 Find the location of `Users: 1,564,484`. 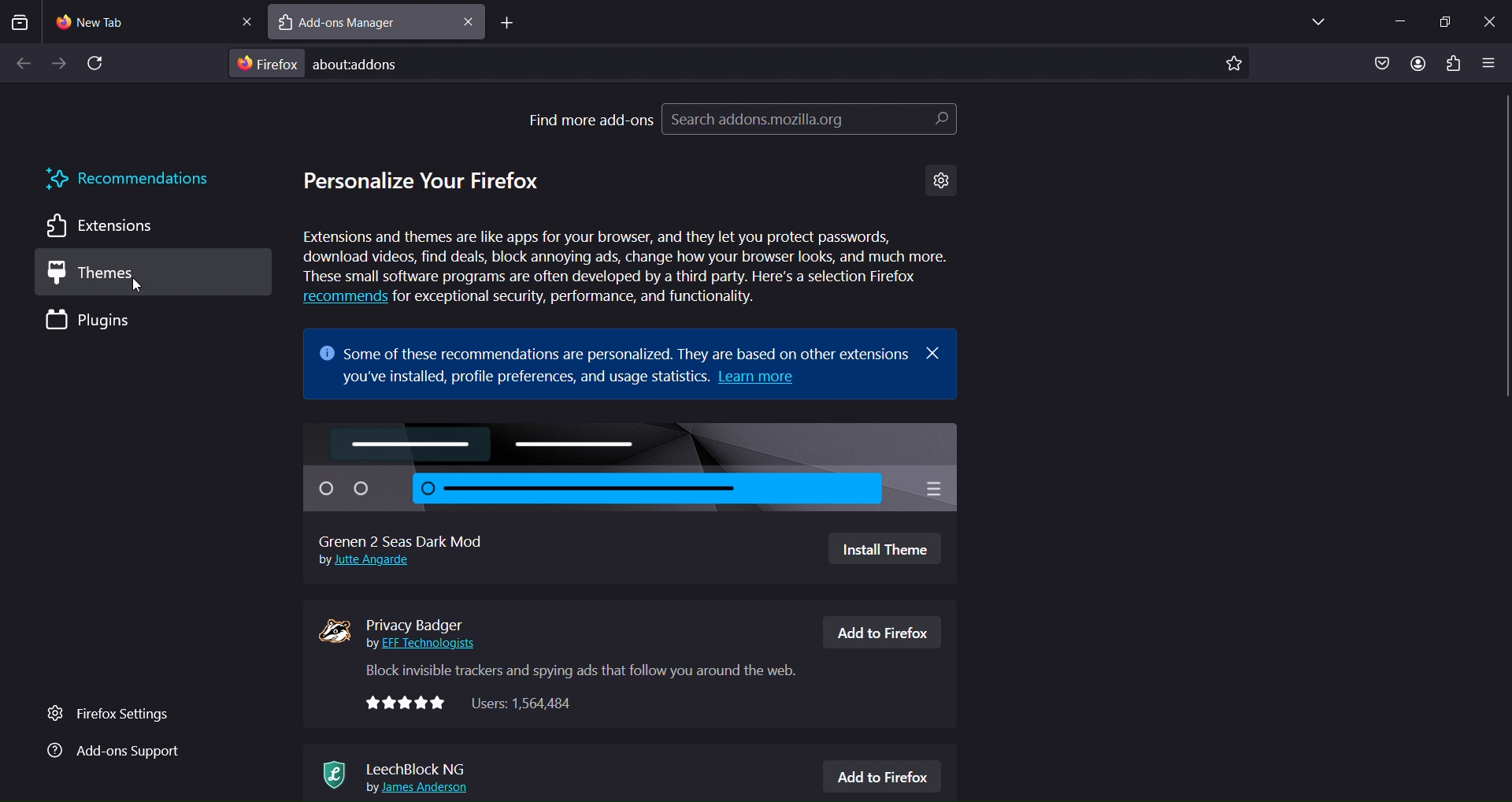

Users: 1,564,484 is located at coordinates (524, 705).